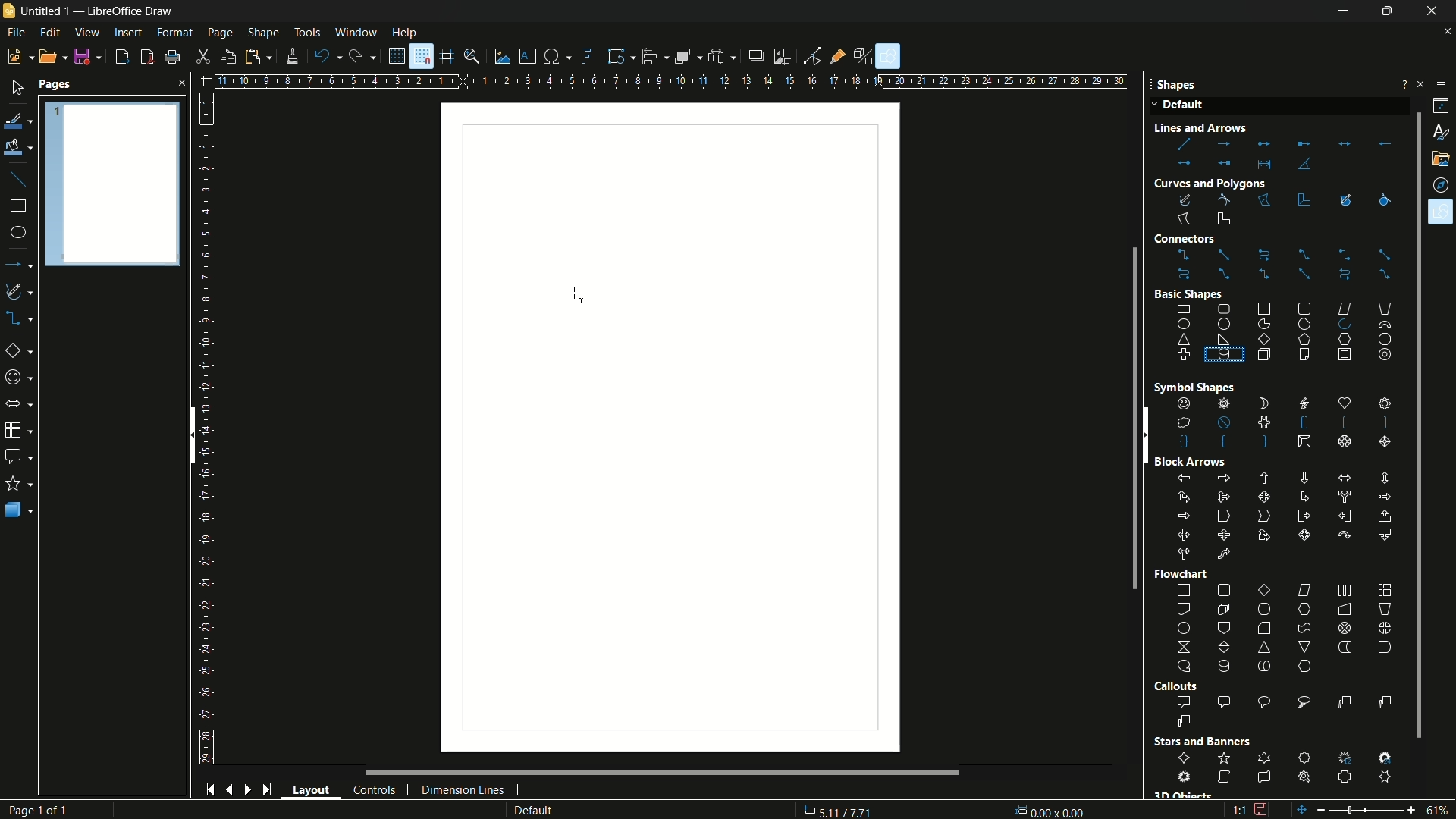 The image size is (1456, 819). I want to click on print, so click(171, 58).